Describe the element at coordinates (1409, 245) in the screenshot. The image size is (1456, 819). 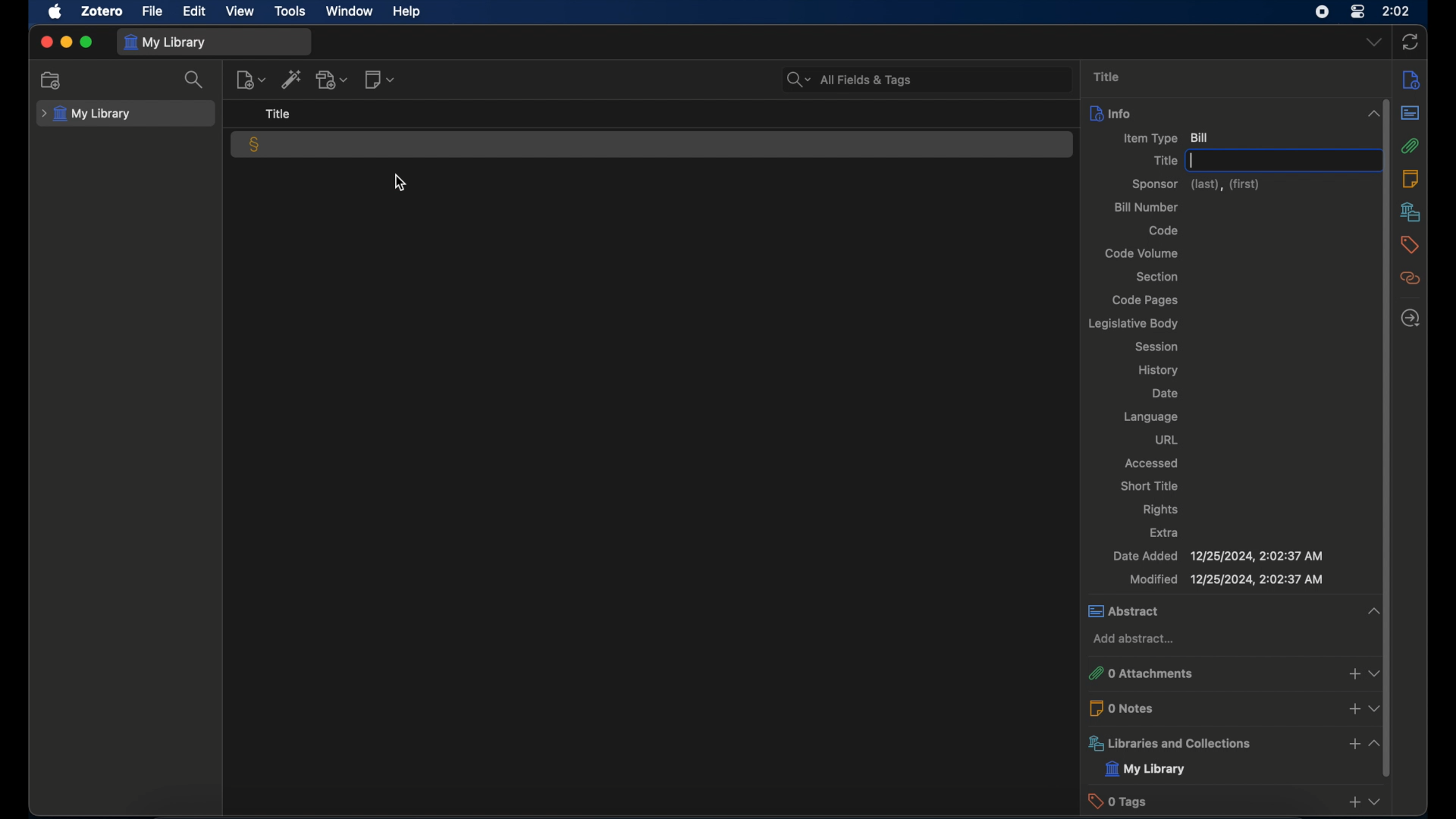
I see `tags` at that location.